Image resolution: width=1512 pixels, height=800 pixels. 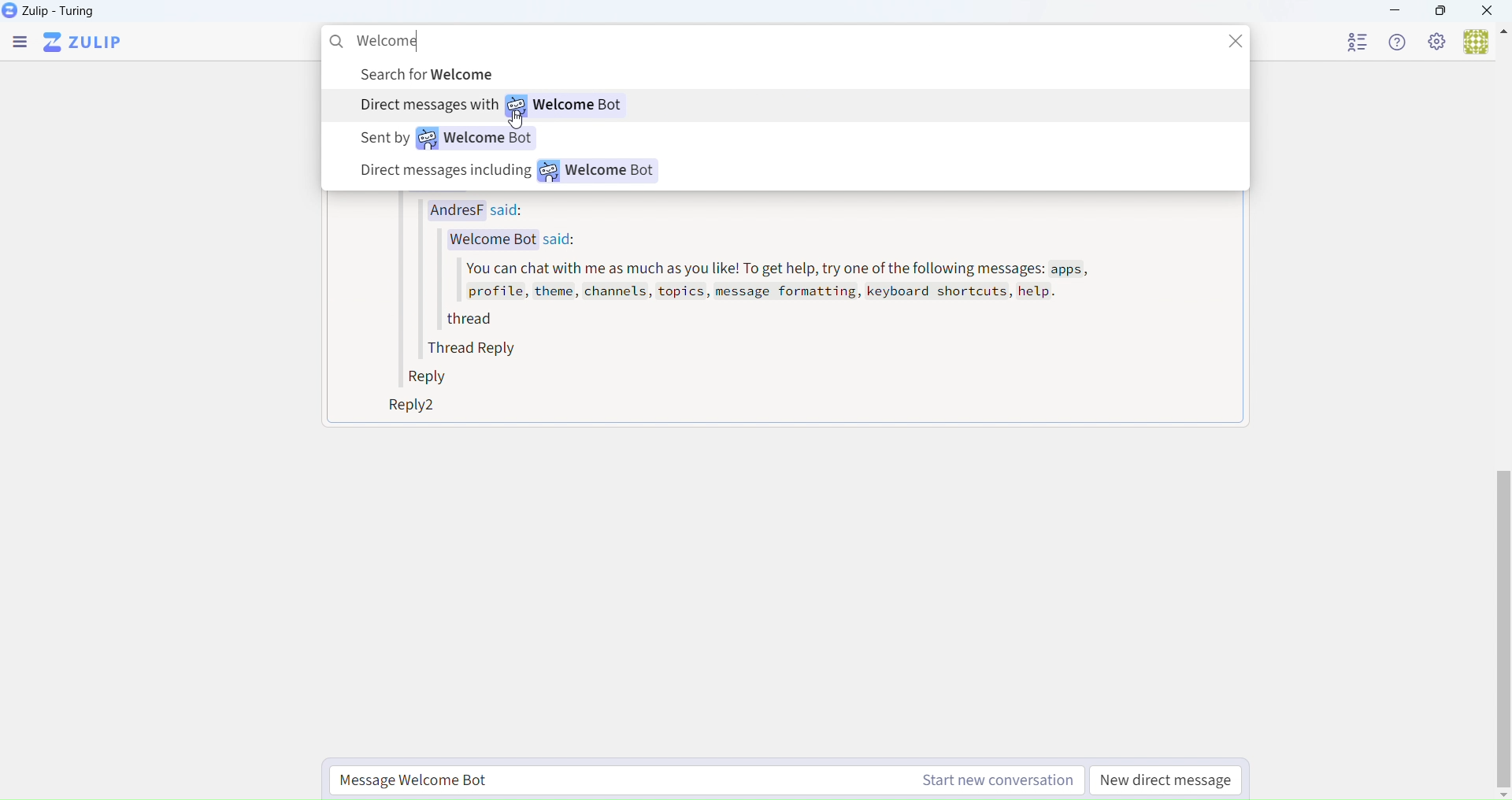 I want to click on Settings, so click(x=1438, y=43).